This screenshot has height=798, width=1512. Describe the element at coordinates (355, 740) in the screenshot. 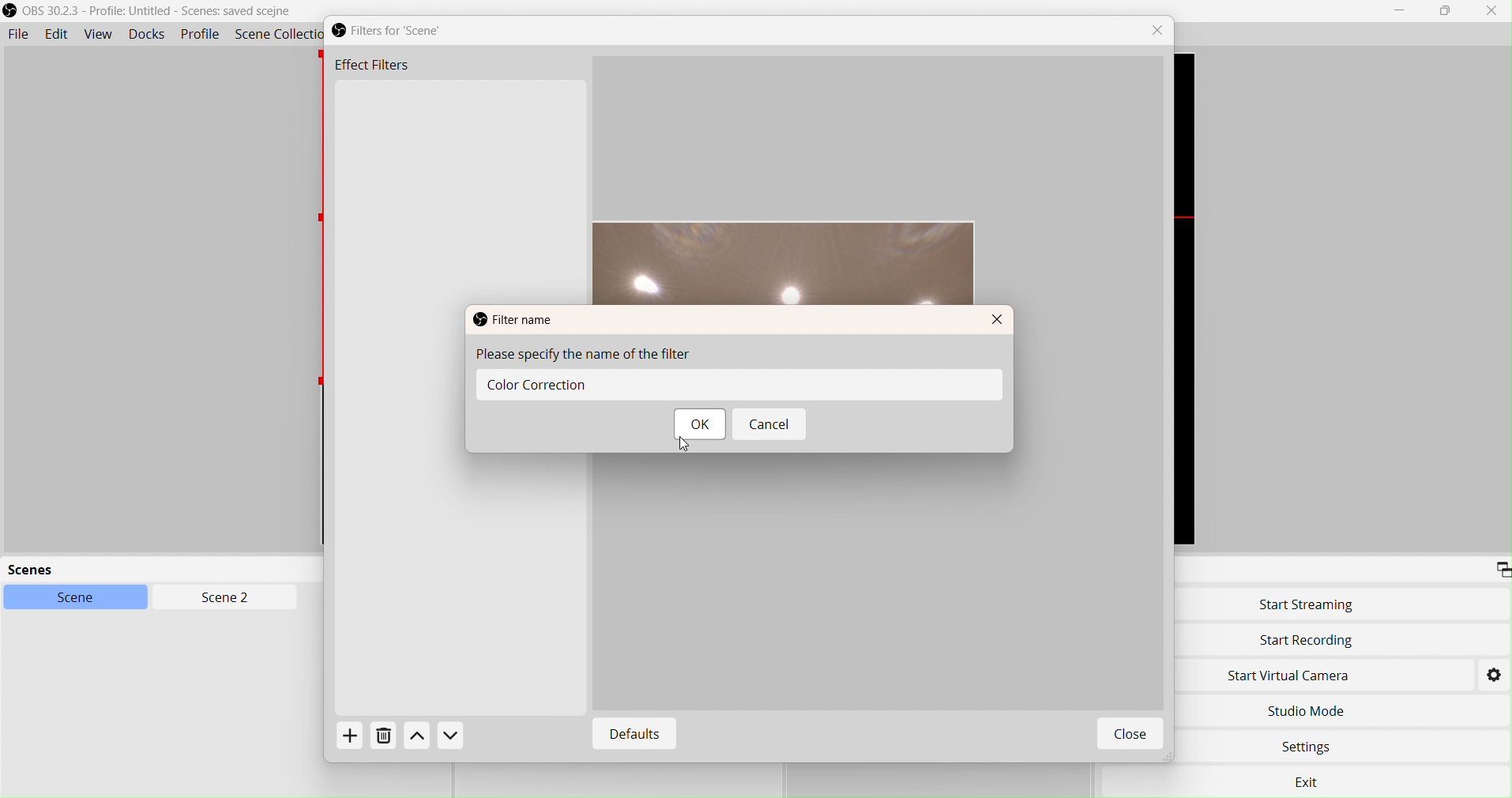

I see `Add` at that location.